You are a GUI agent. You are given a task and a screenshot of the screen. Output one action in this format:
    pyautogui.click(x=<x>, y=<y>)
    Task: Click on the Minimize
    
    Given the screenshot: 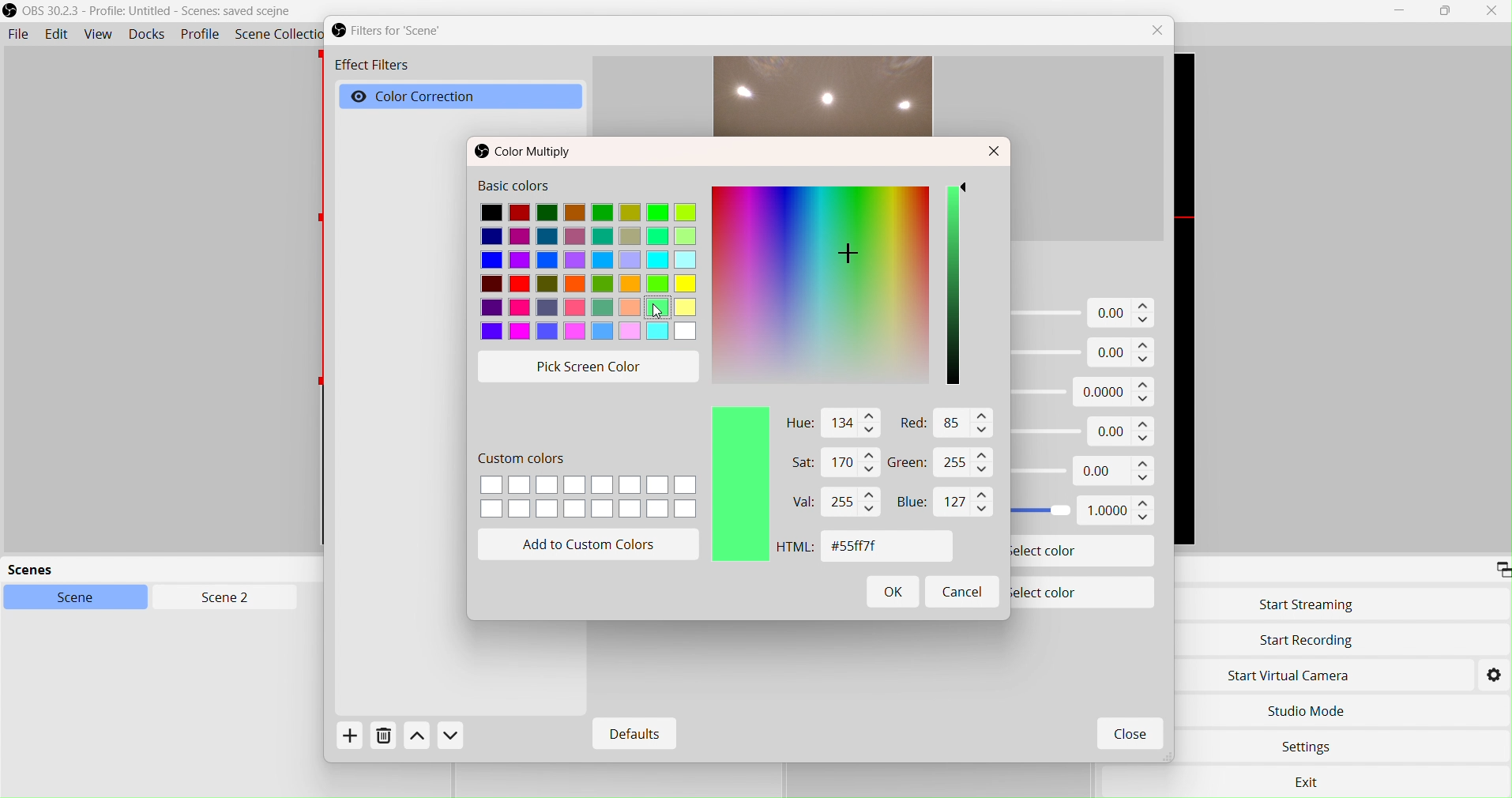 What is the action you would take?
    pyautogui.click(x=1400, y=10)
    